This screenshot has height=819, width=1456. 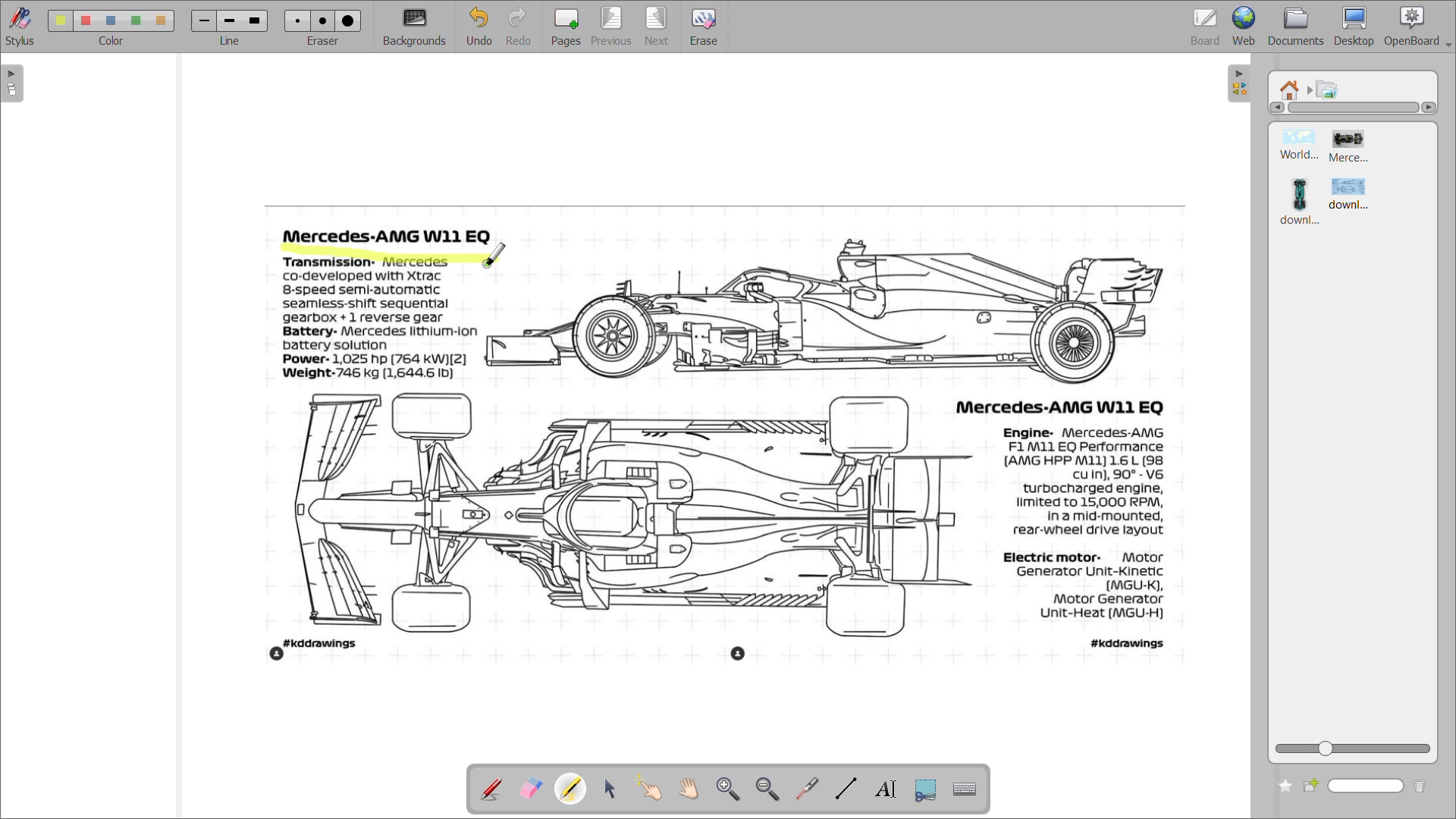 What do you see at coordinates (478, 27) in the screenshot?
I see `undo` at bounding box center [478, 27].